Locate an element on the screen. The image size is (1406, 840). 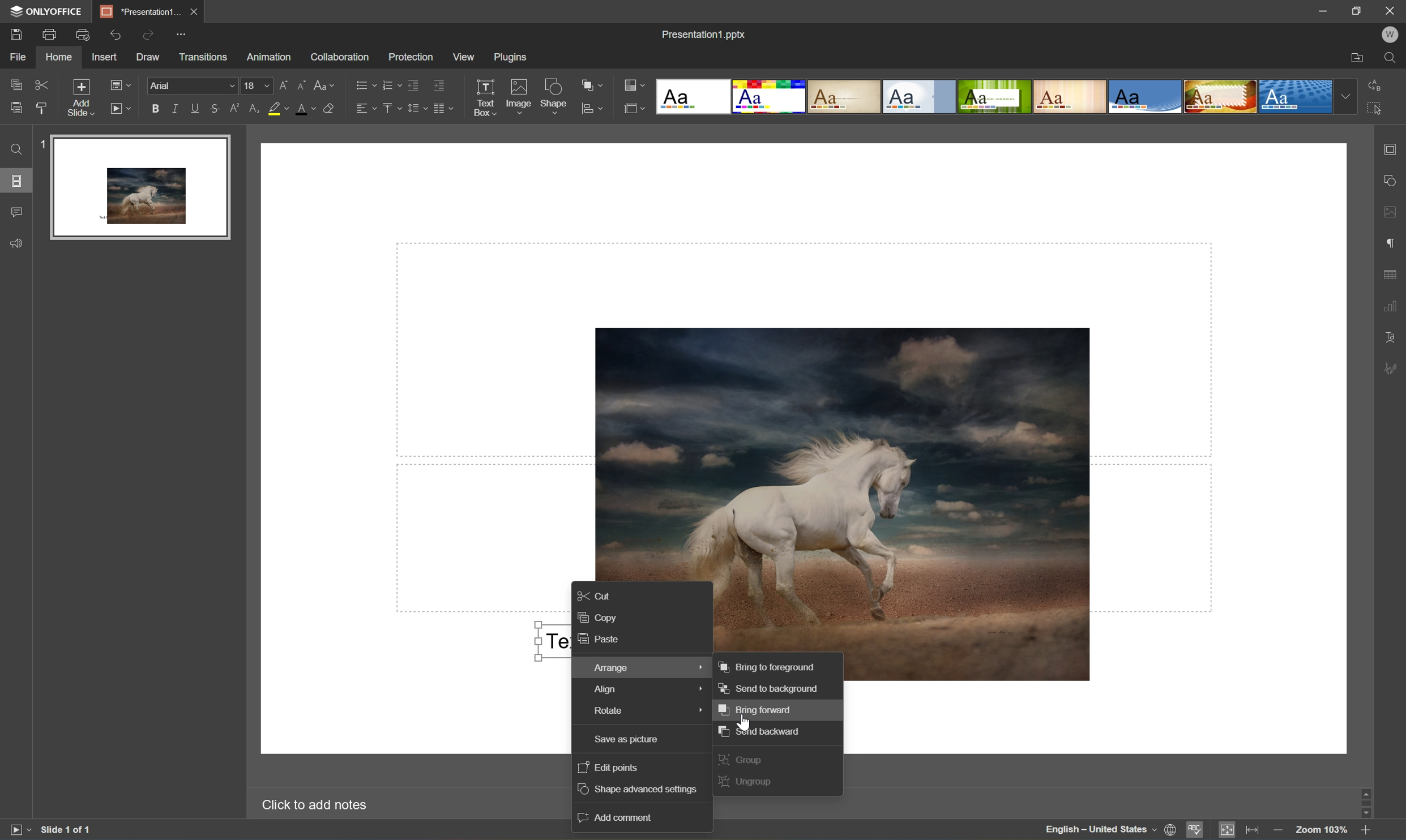
Change case is located at coordinates (327, 84).